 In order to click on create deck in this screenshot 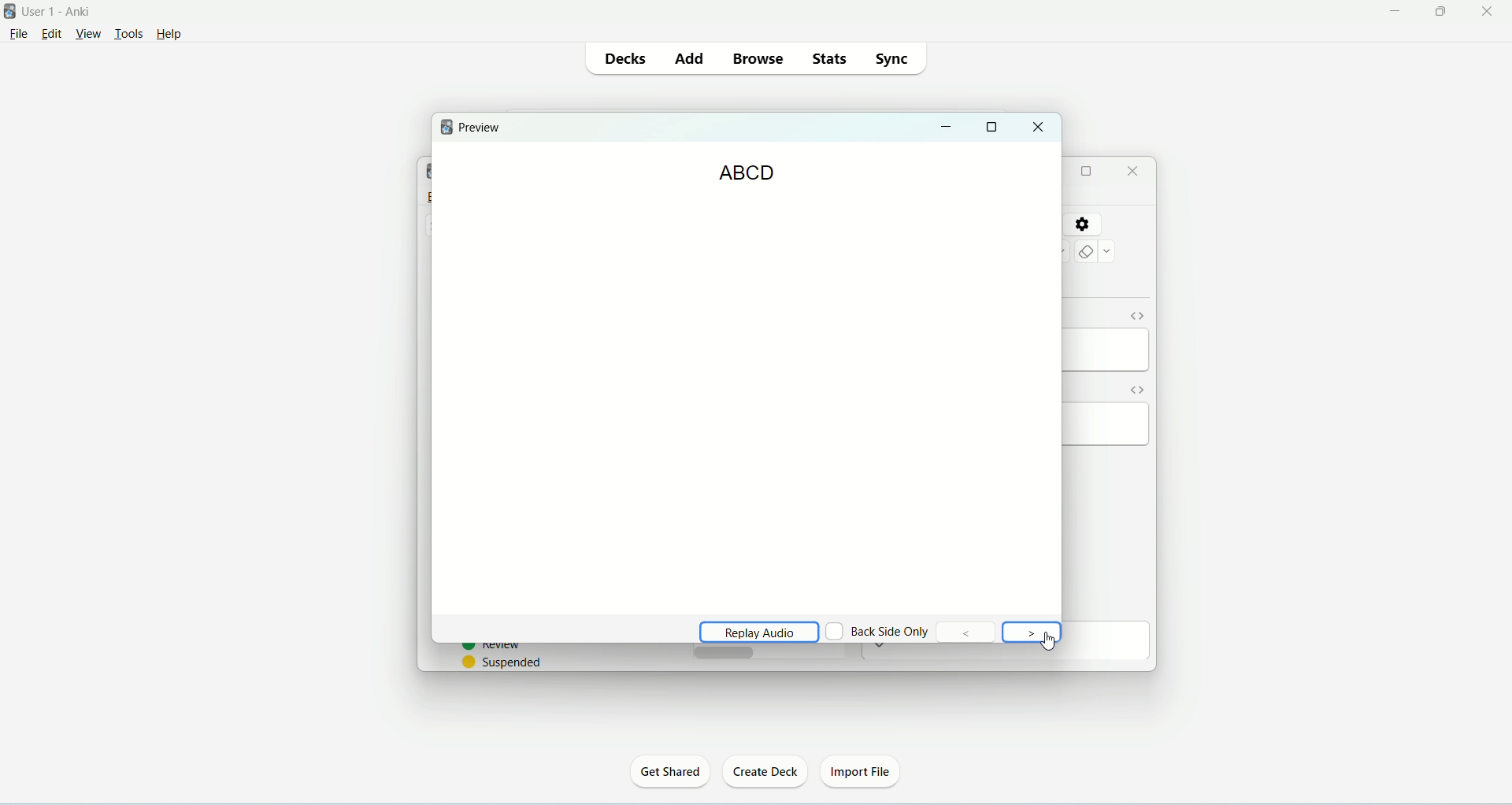, I will do `click(765, 771)`.